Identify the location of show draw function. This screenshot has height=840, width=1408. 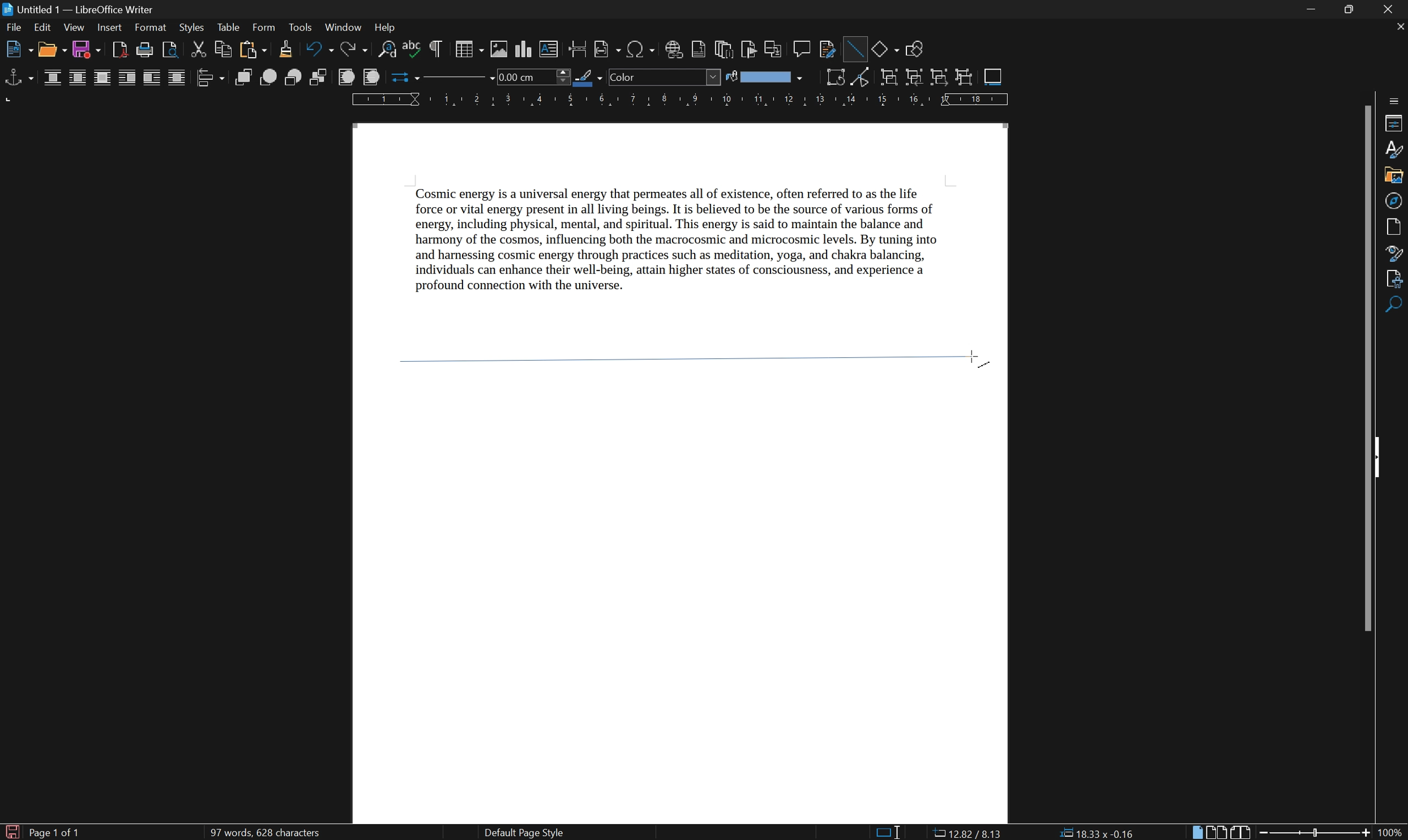
(914, 50).